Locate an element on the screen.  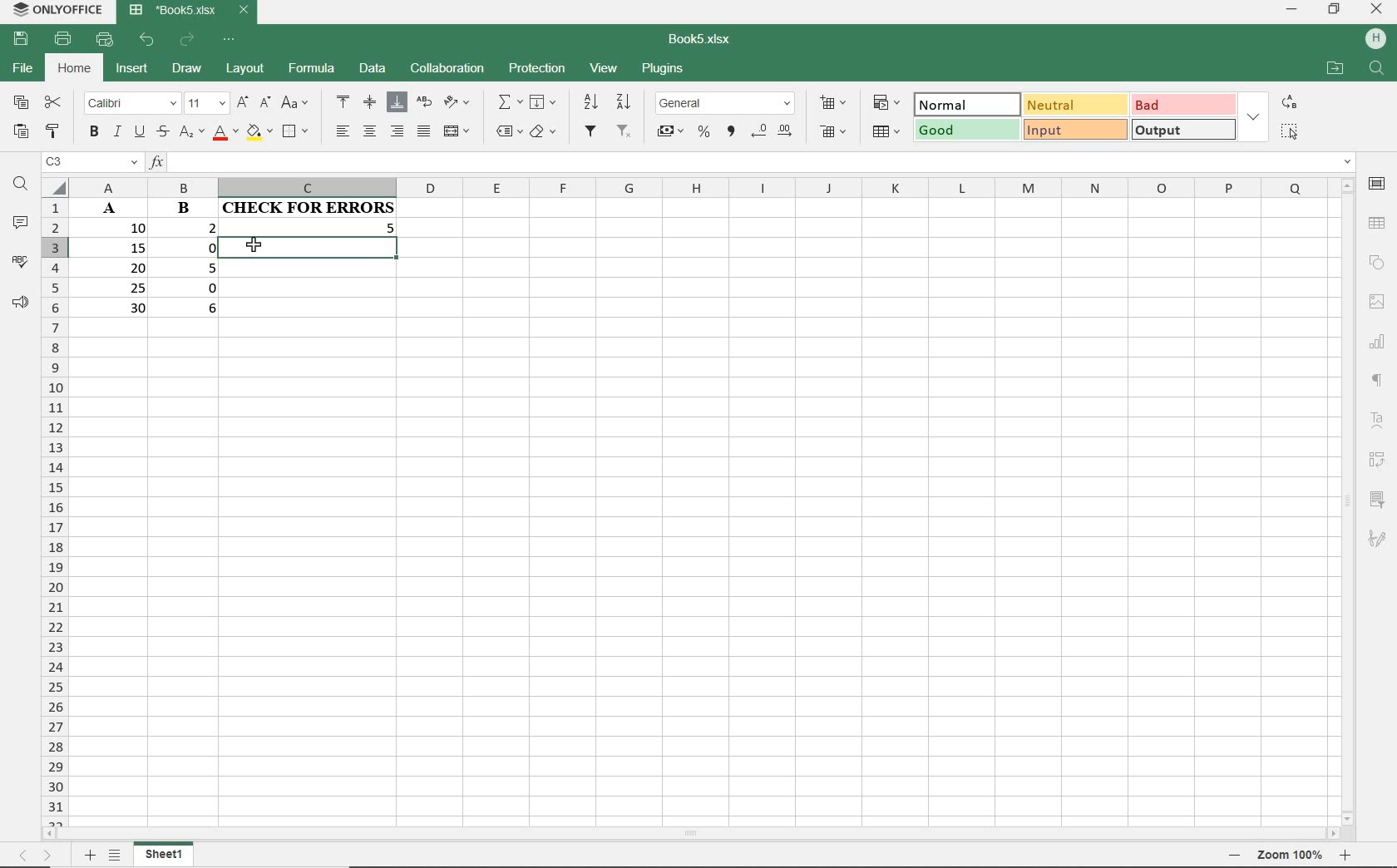
ROWS is located at coordinates (56, 510).